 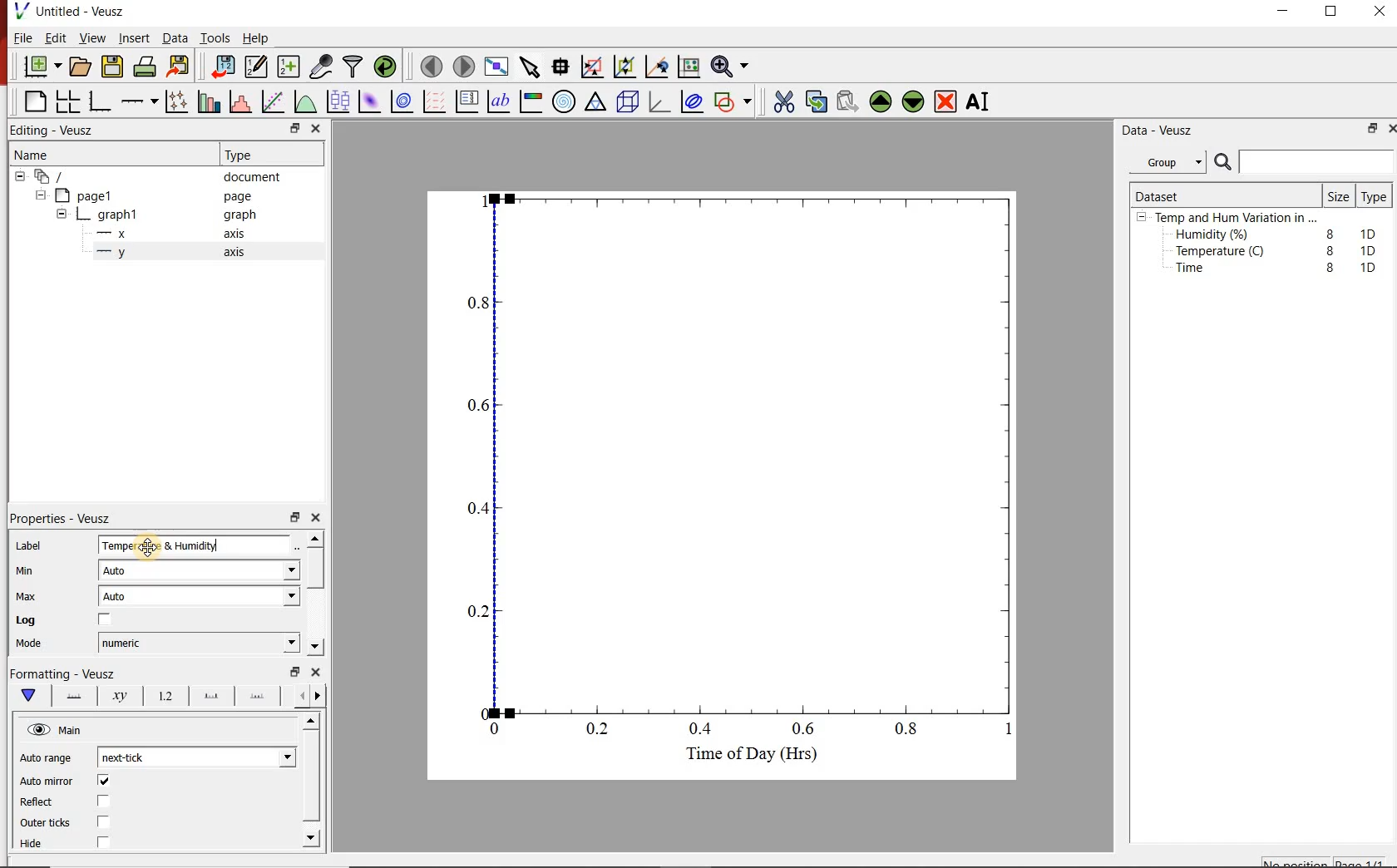 What do you see at coordinates (126, 256) in the screenshot?
I see `y` at bounding box center [126, 256].